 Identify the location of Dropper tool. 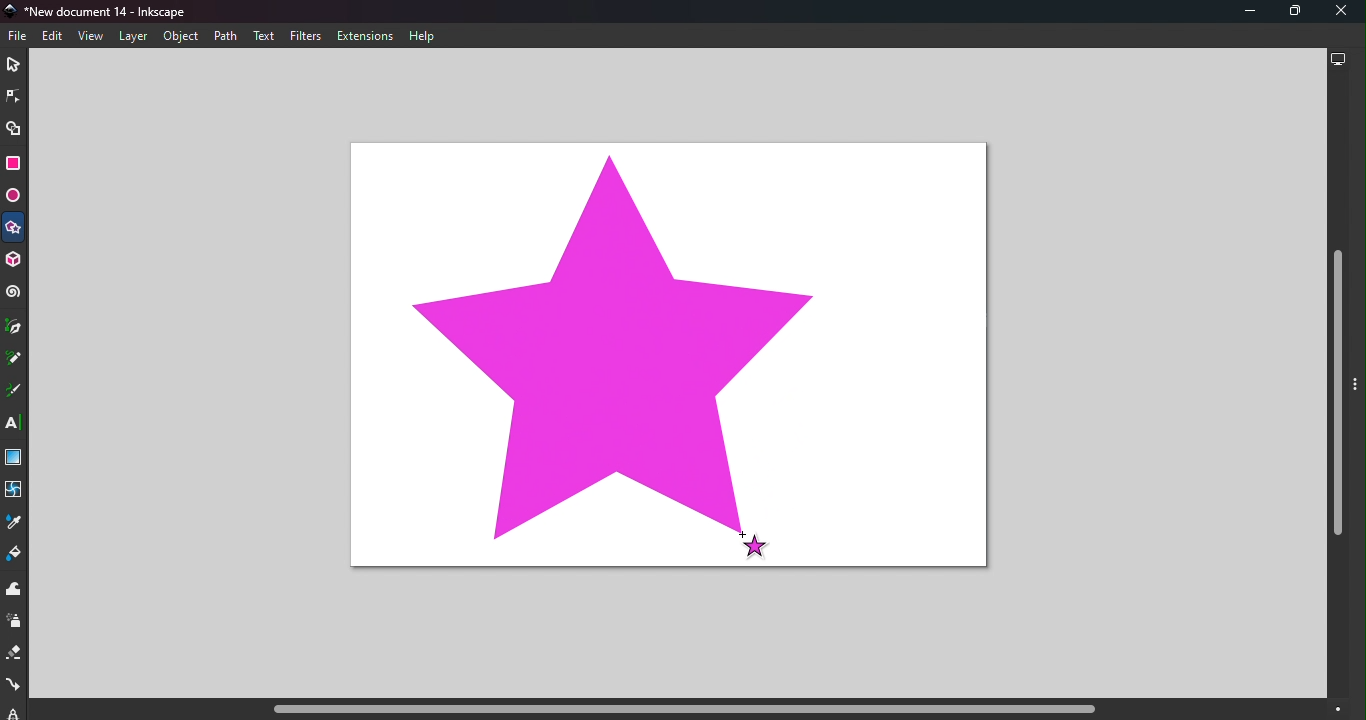
(12, 526).